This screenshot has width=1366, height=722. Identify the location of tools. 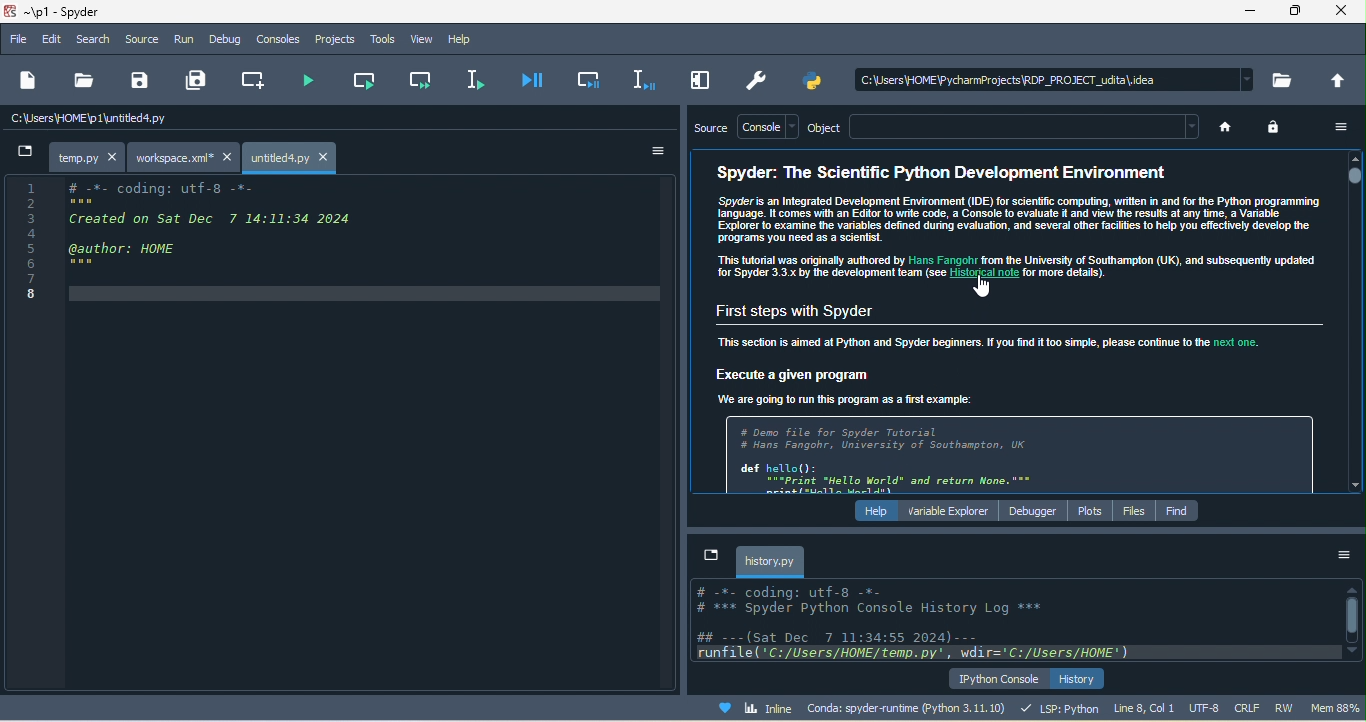
(380, 39).